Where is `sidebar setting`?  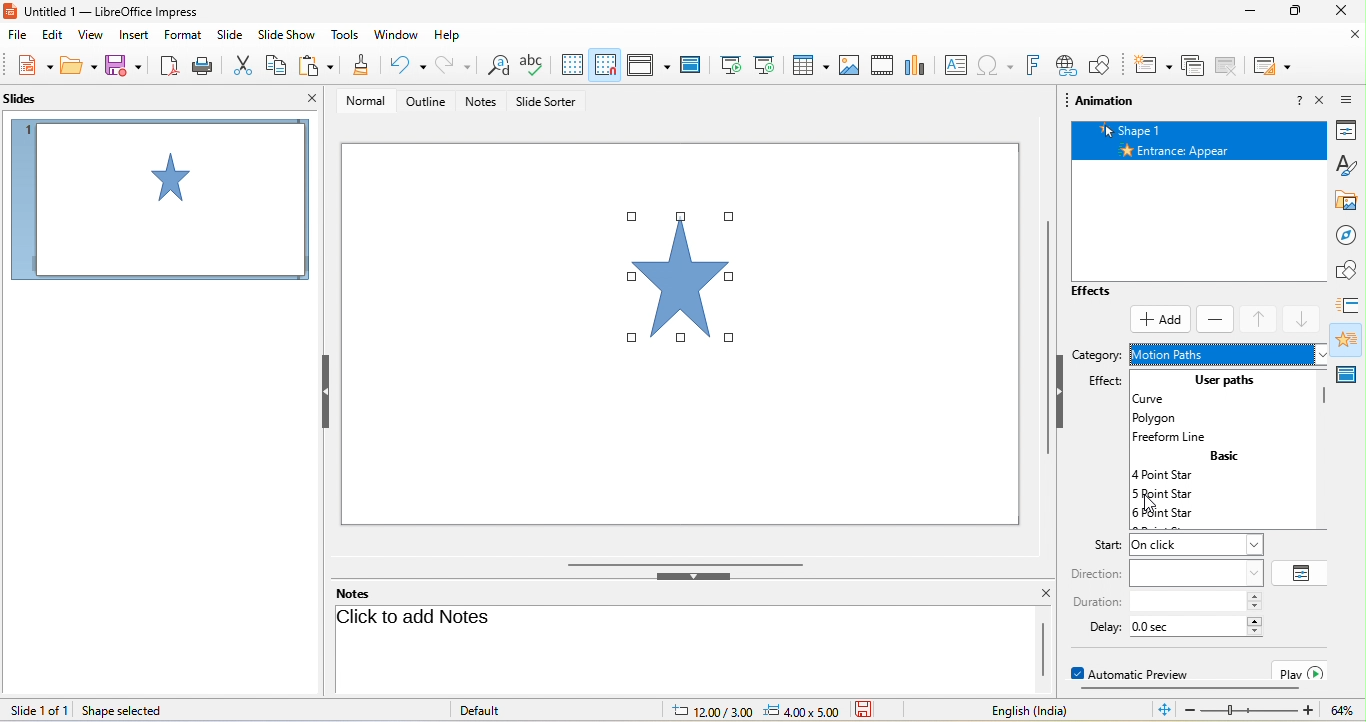 sidebar setting is located at coordinates (1348, 98).